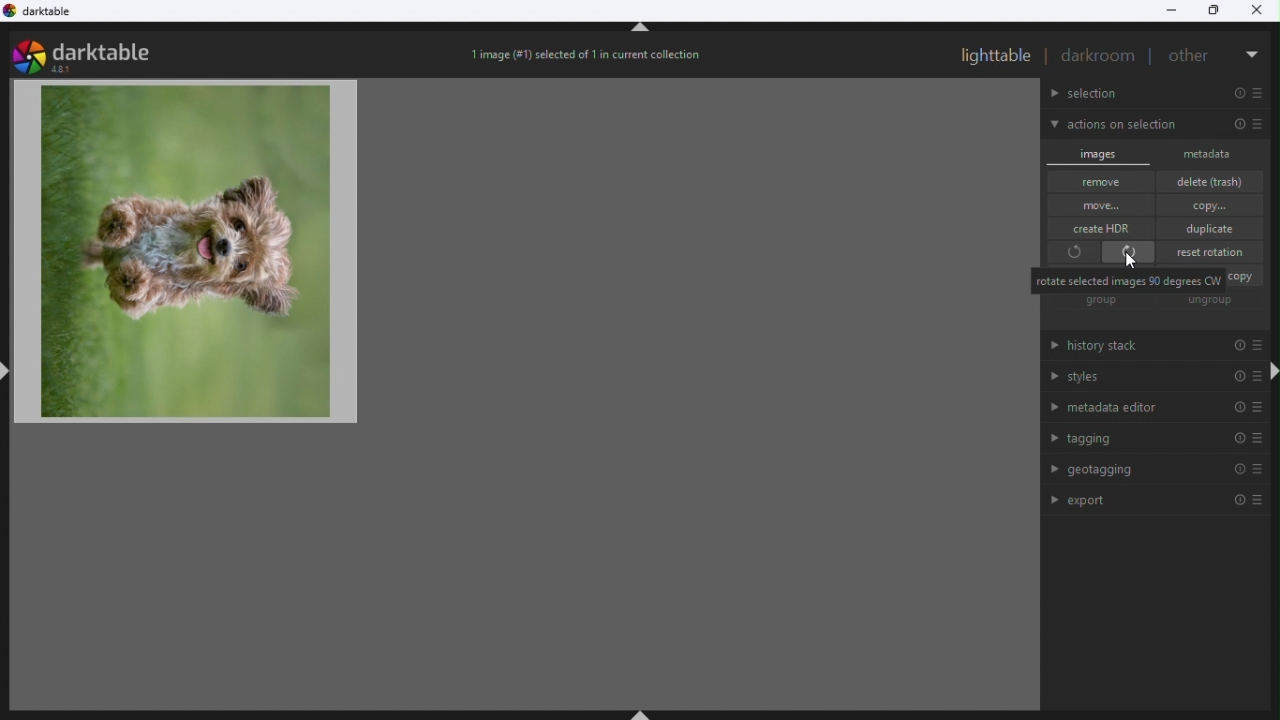 Image resolution: width=1280 pixels, height=720 pixels. Describe the element at coordinates (1099, 56) in the screenshot. I see `Dark room` at that location.